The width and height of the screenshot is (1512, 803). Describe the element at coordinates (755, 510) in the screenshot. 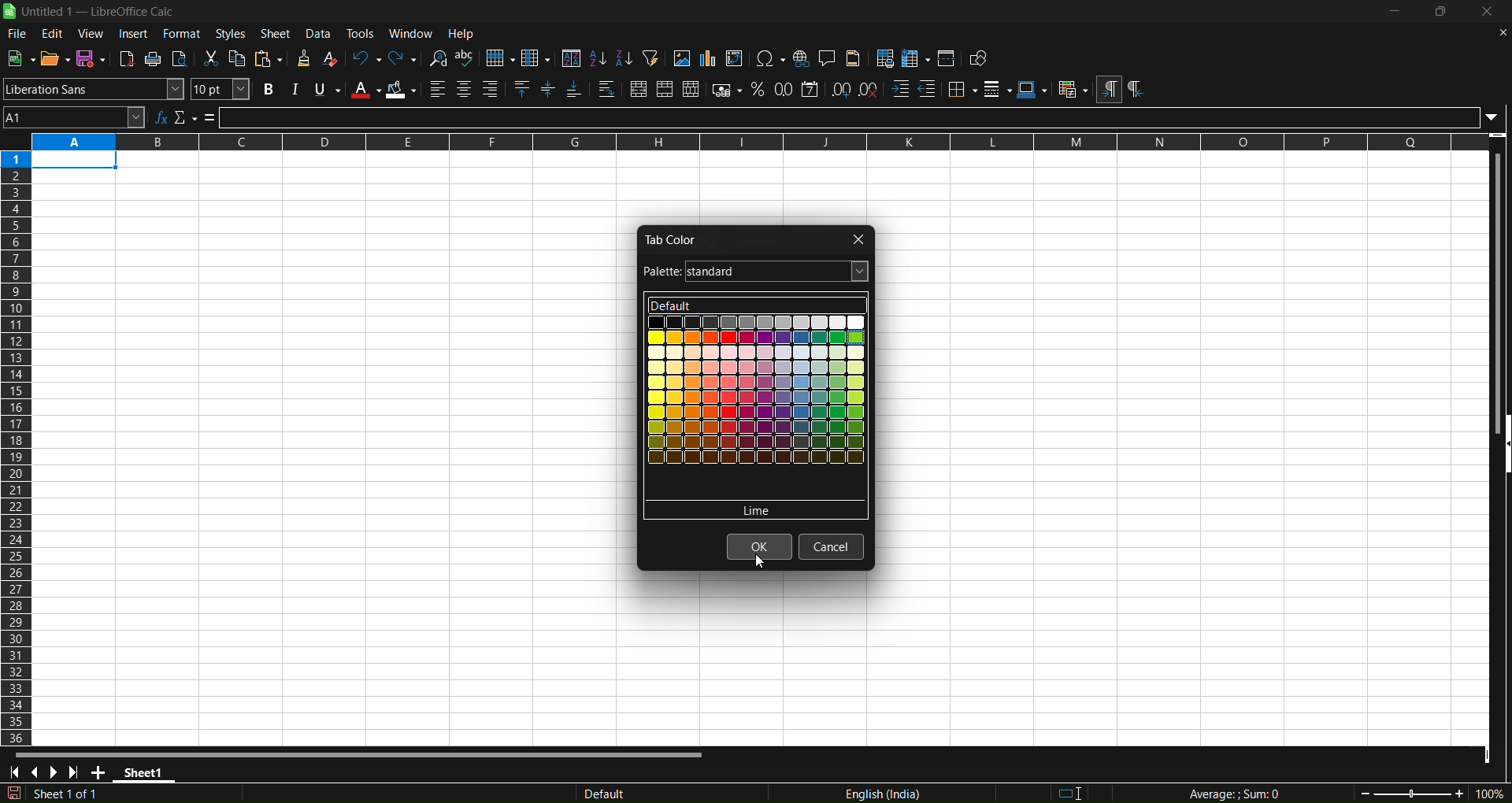

I see `default` at that location.